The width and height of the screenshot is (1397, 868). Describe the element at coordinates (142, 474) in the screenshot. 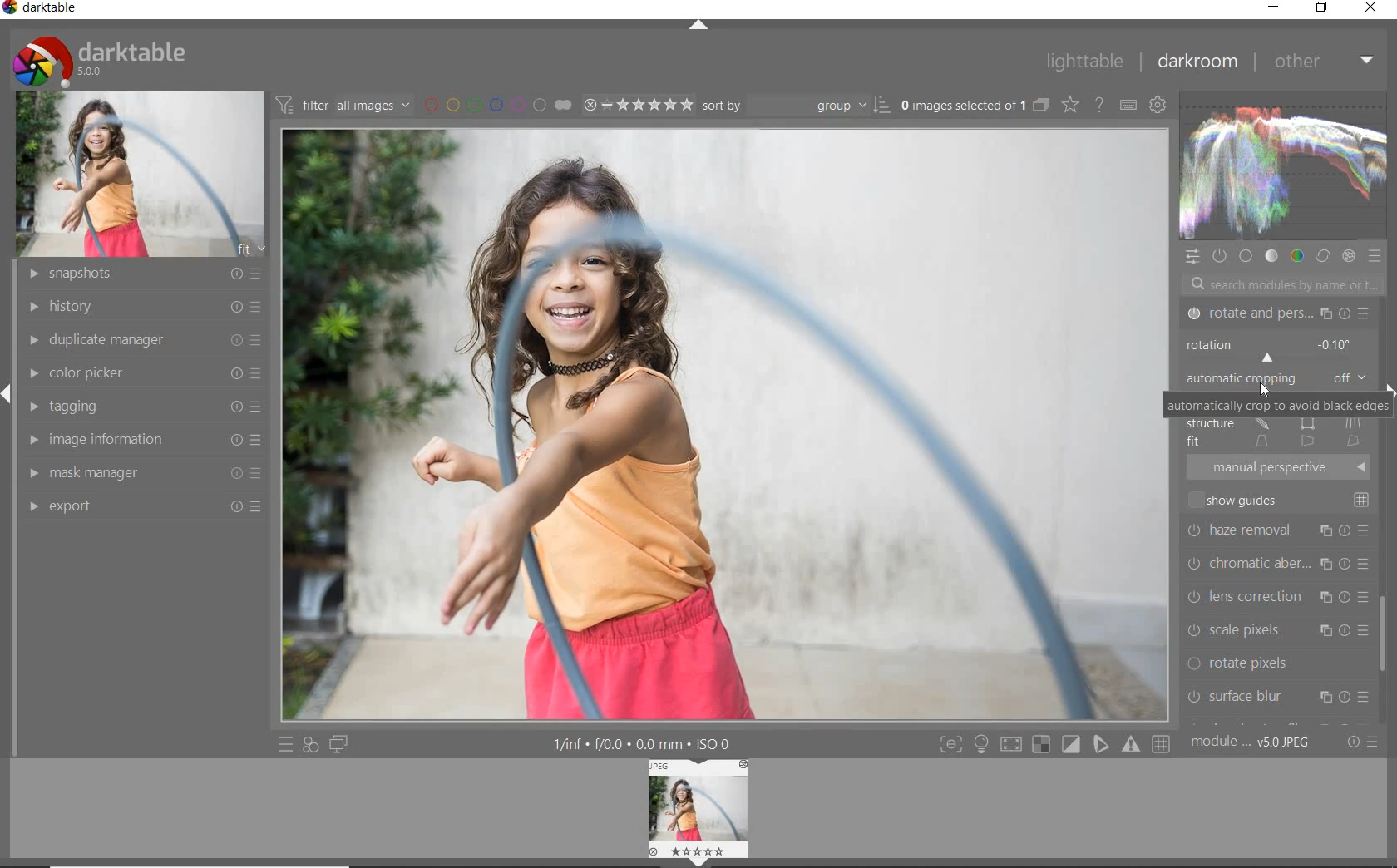

I see `mask manager` at that location.